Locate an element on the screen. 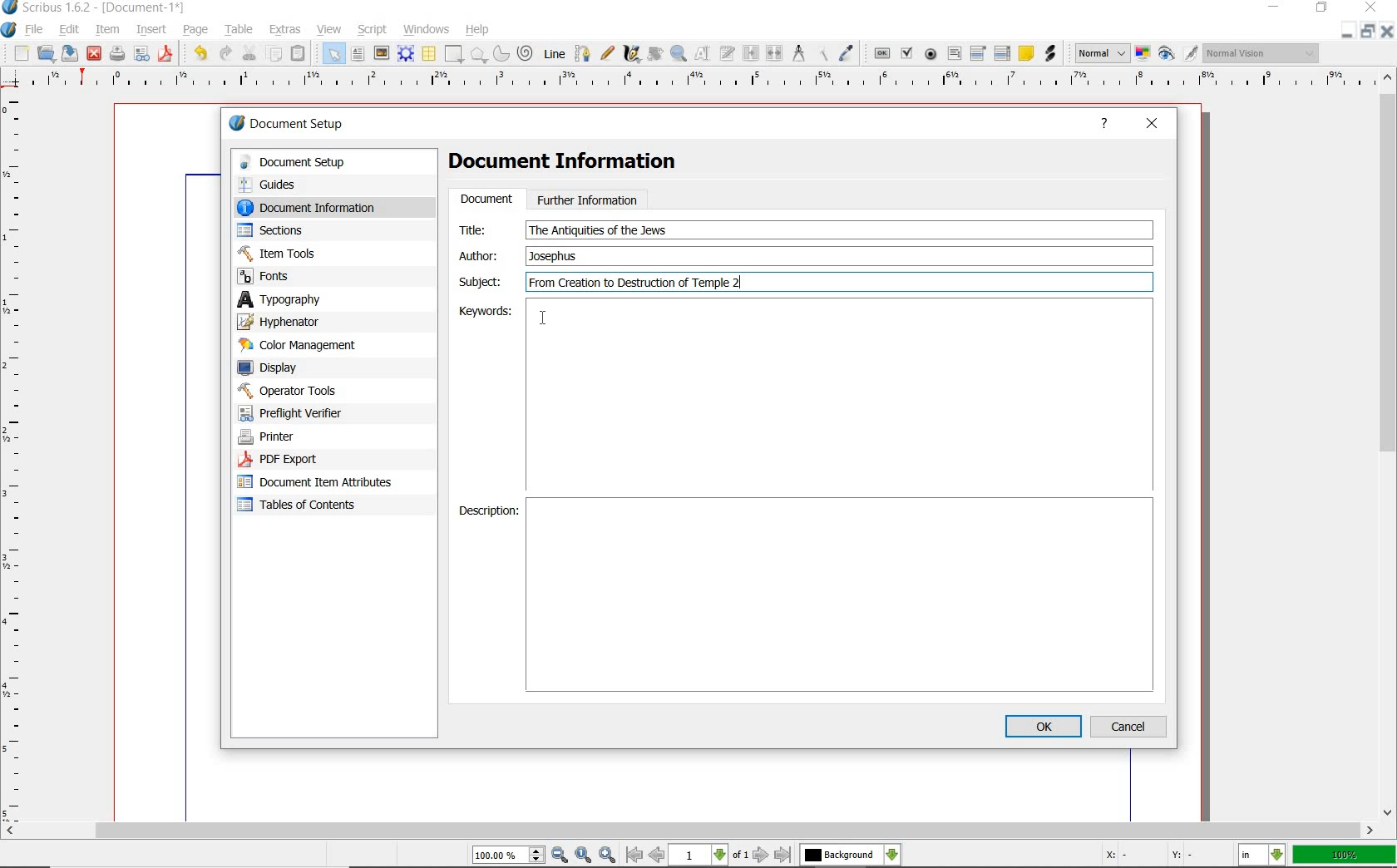 Image resolution: width=1397 pixels, height=868 pixels. keywords is located at coordinates (472, 312).